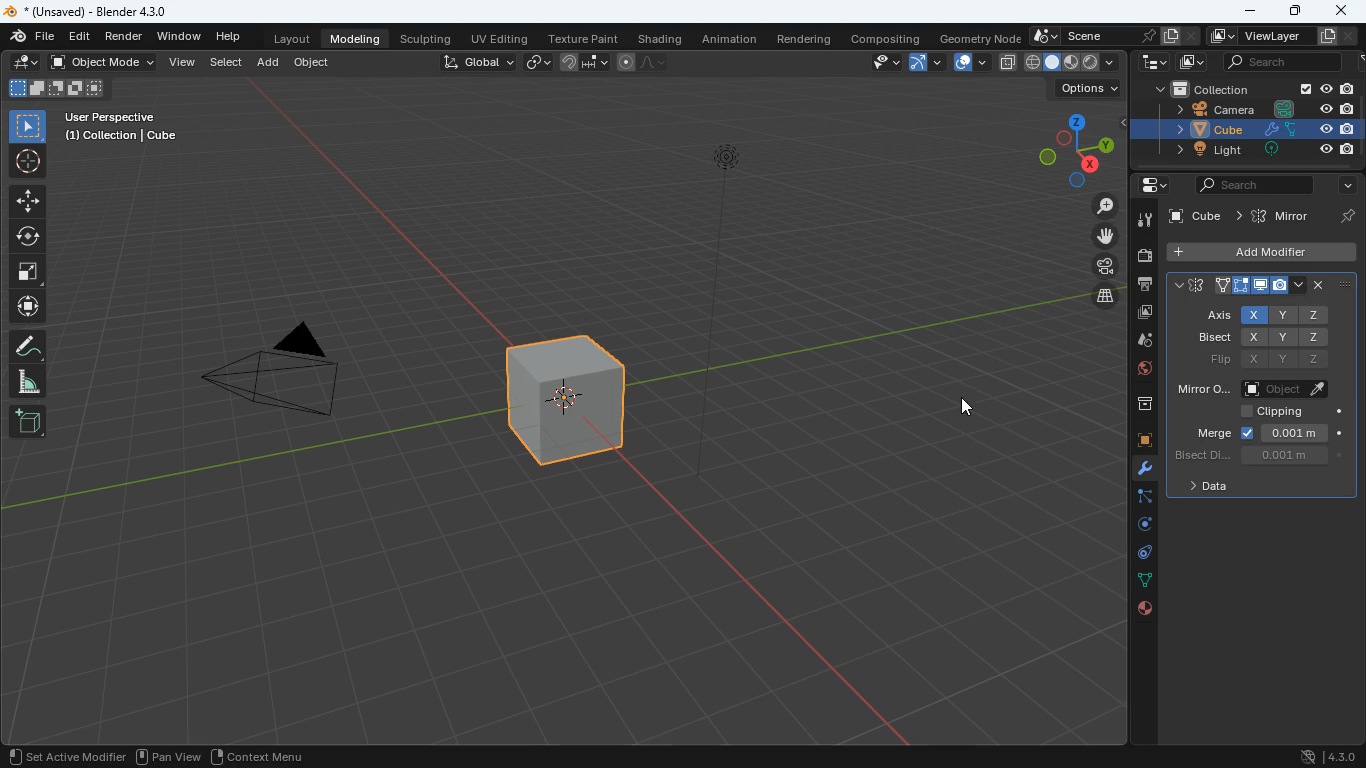 This screenshot has height=768, width=1366. Describe the element at coordinates (585, 62) in the screenshot. I see `join` at that location.